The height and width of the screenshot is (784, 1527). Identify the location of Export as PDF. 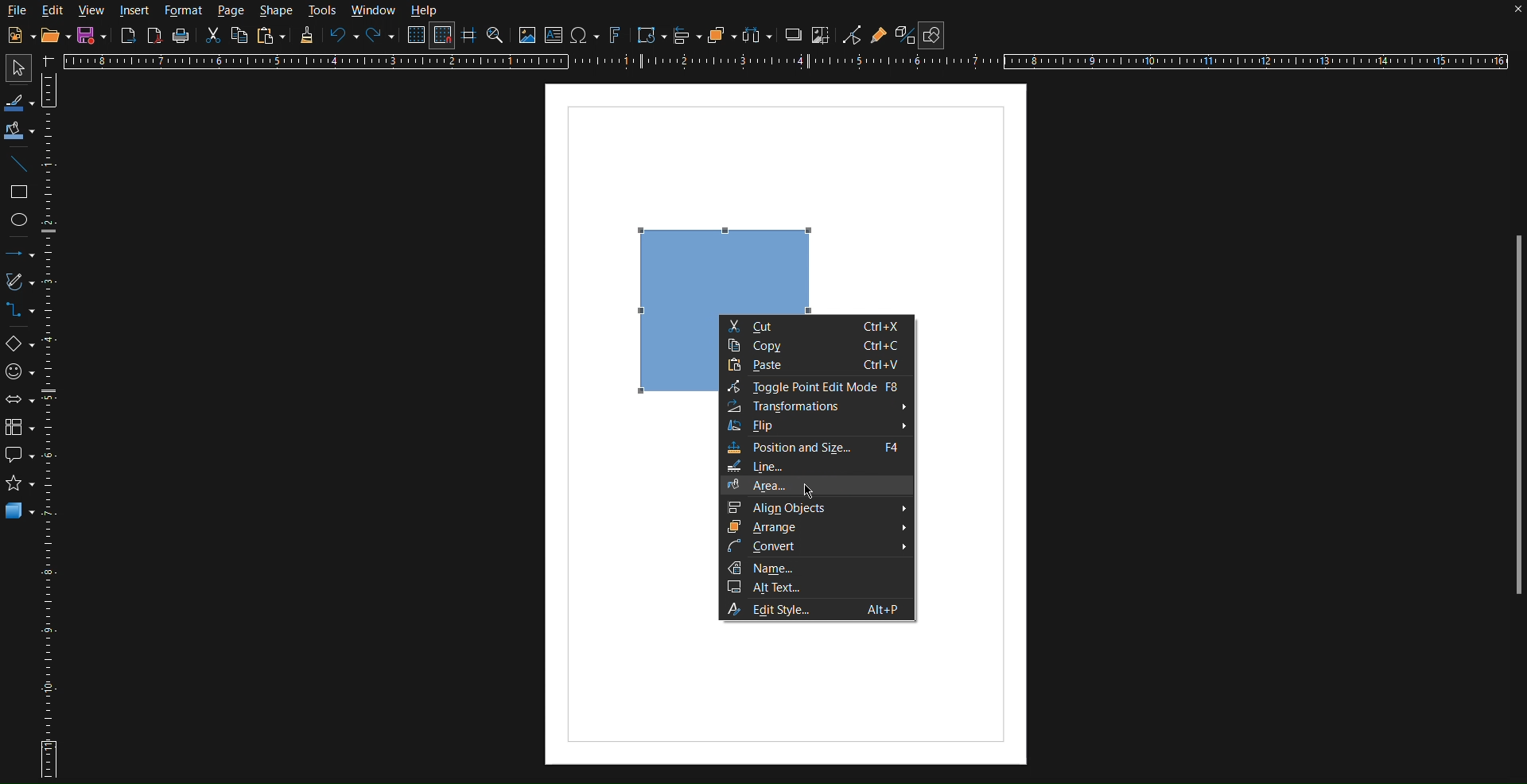
(156, 38).